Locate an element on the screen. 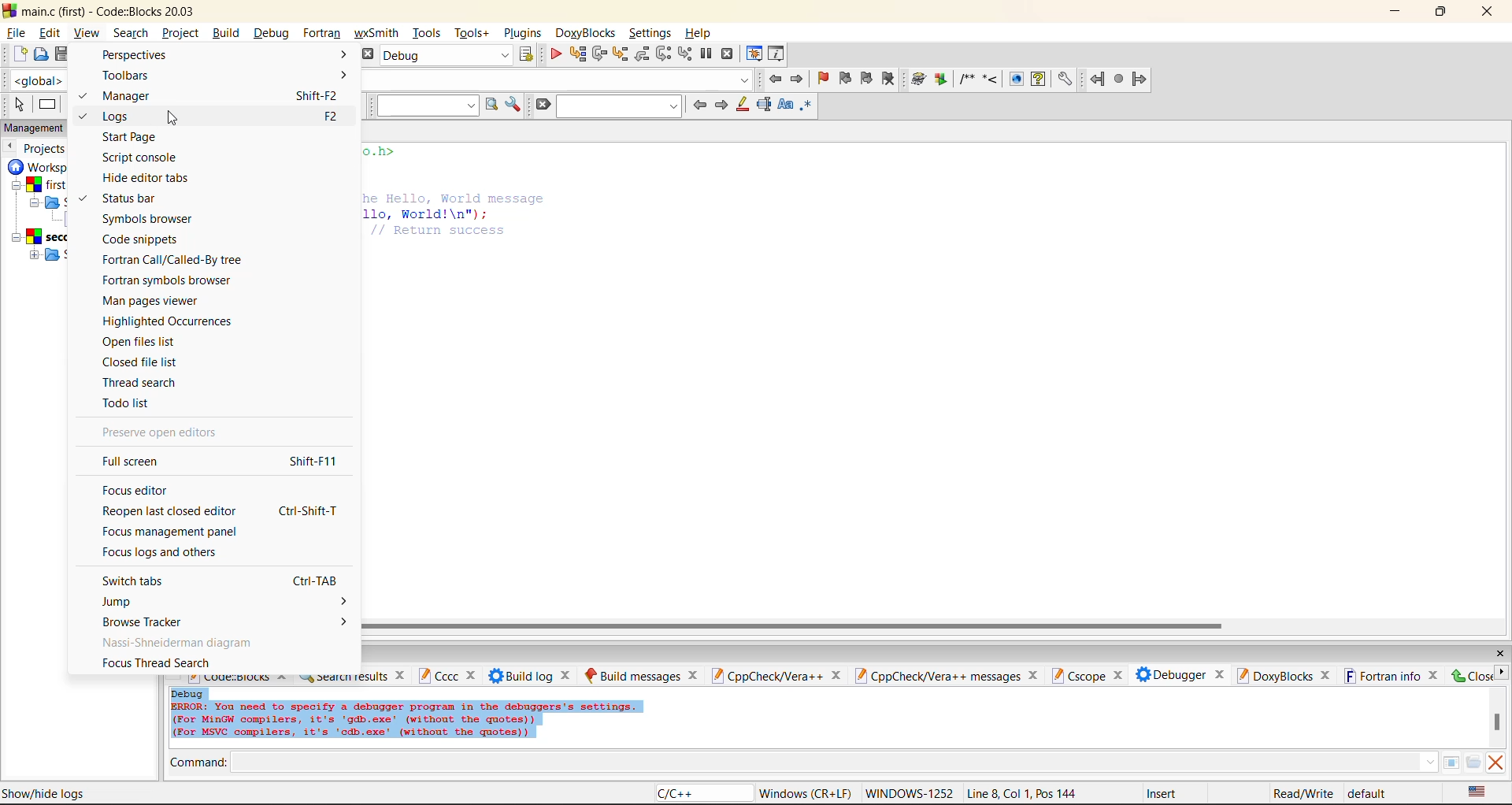  build is located at coordinates (229, 33).